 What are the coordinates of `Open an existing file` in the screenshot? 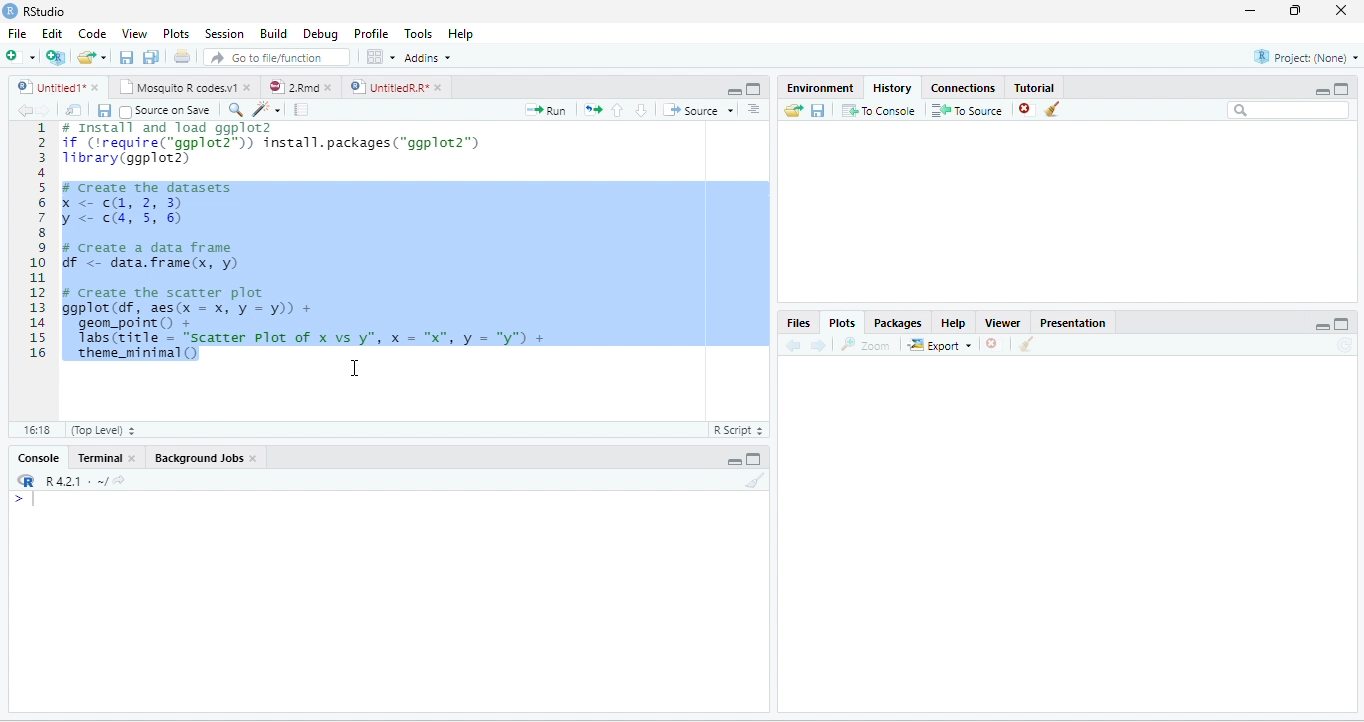 It's located at (86, 57).